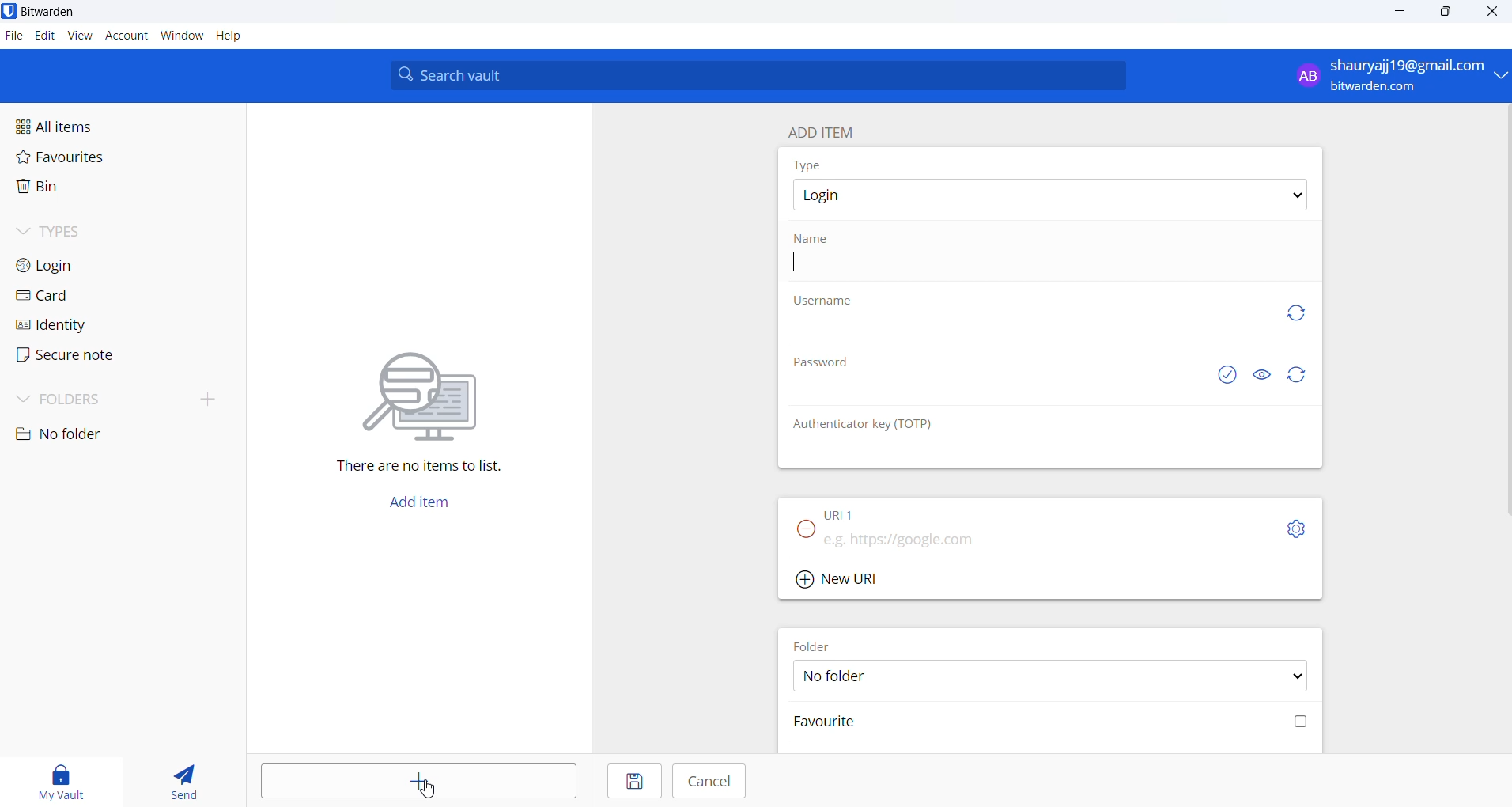 Image resolution: width=1512 pixels, height=807 pixels. I want to click on no folder, so click(108, 434).